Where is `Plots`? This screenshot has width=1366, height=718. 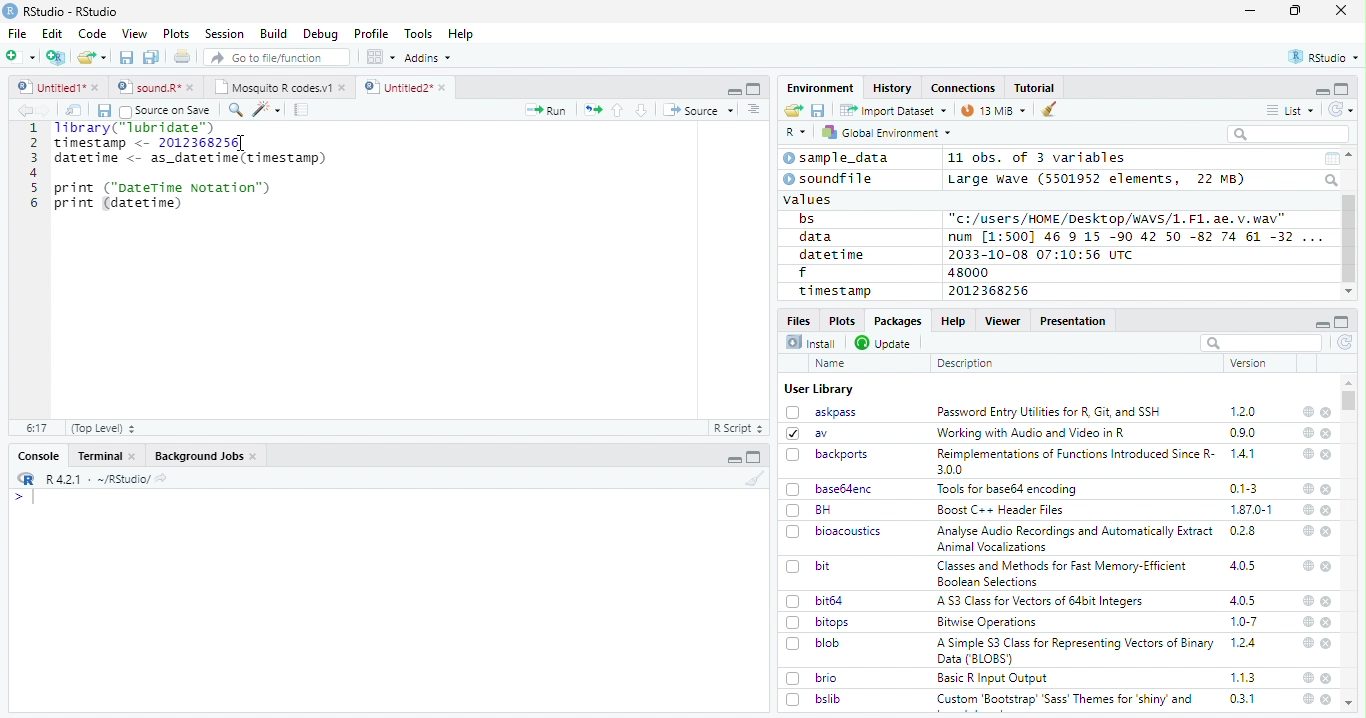
Plots is located at coordinates (176, 34).